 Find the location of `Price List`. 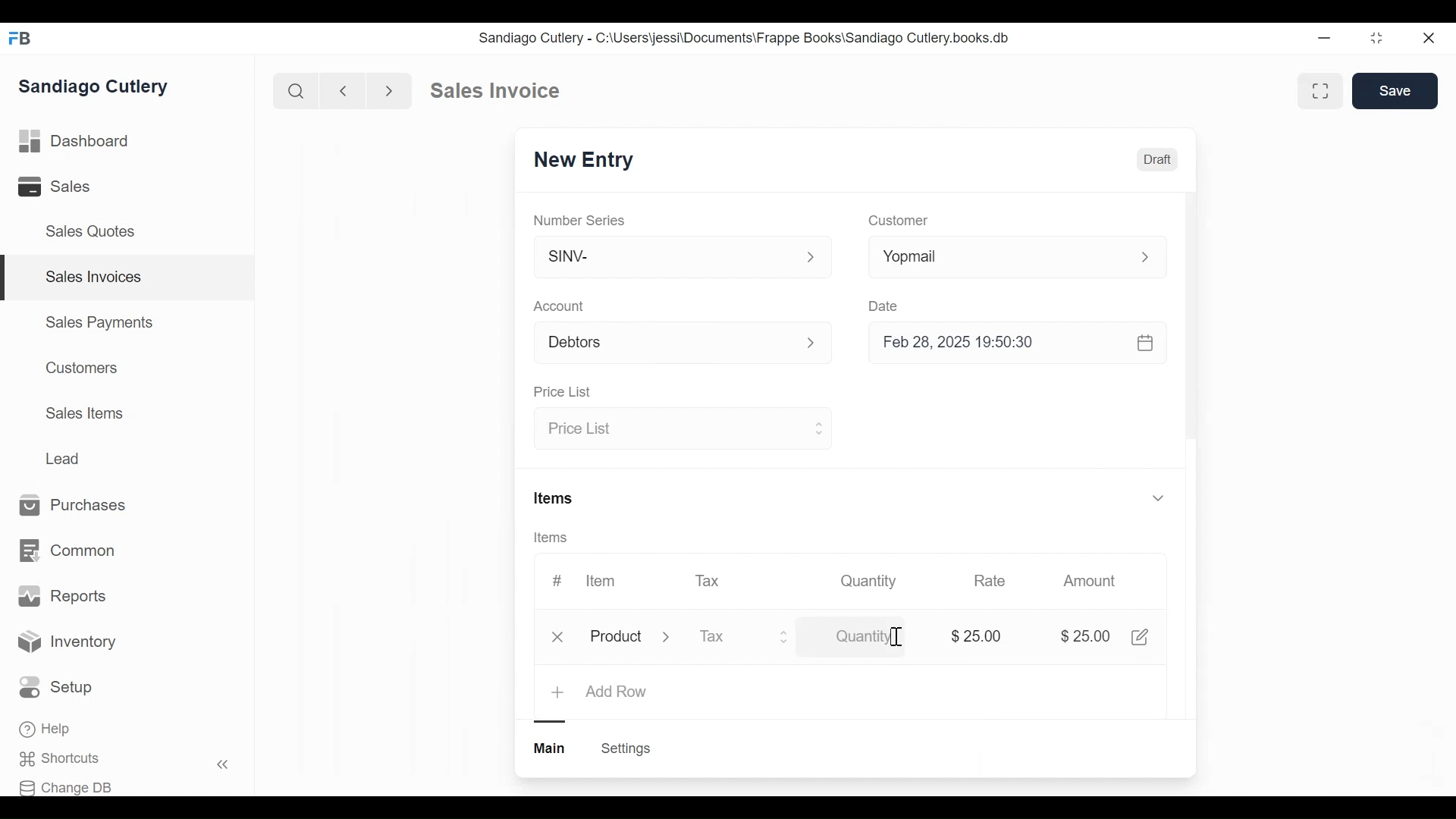

Price List is located at coordinates (680, 430).